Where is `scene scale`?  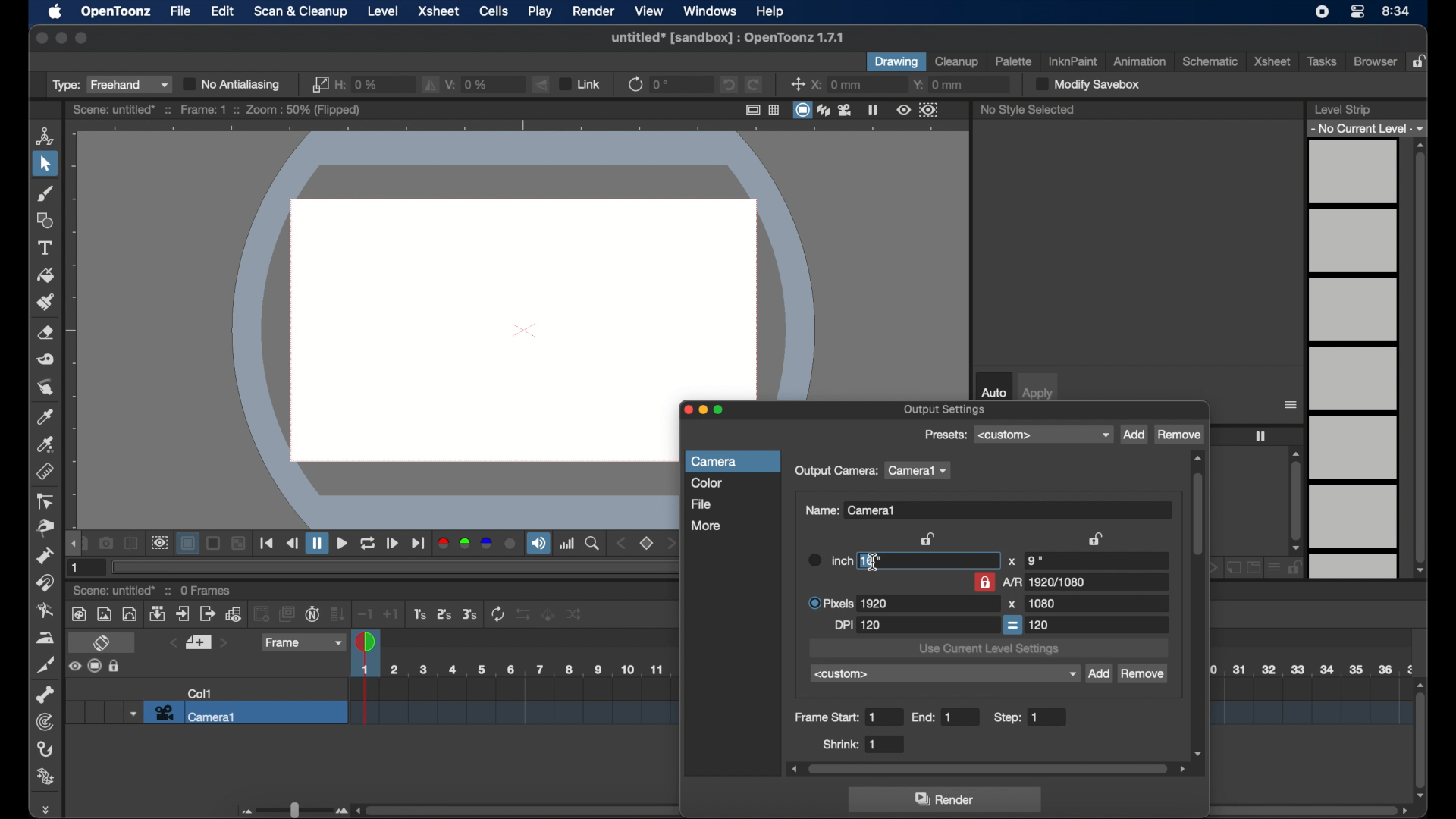
scene scale is located at coordinates (510, 670).